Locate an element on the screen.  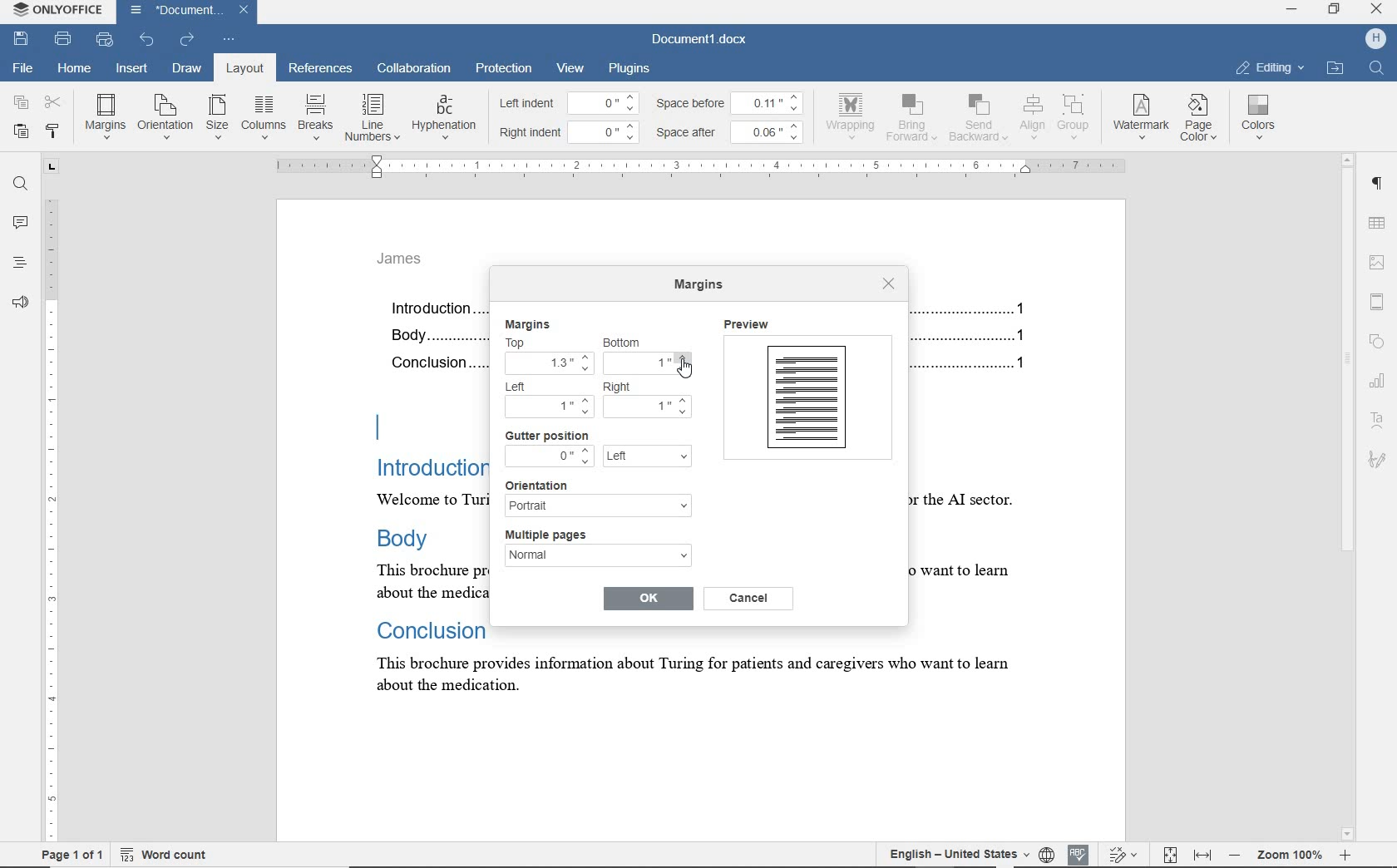
feedback & support is located at coordinates (19, 303).